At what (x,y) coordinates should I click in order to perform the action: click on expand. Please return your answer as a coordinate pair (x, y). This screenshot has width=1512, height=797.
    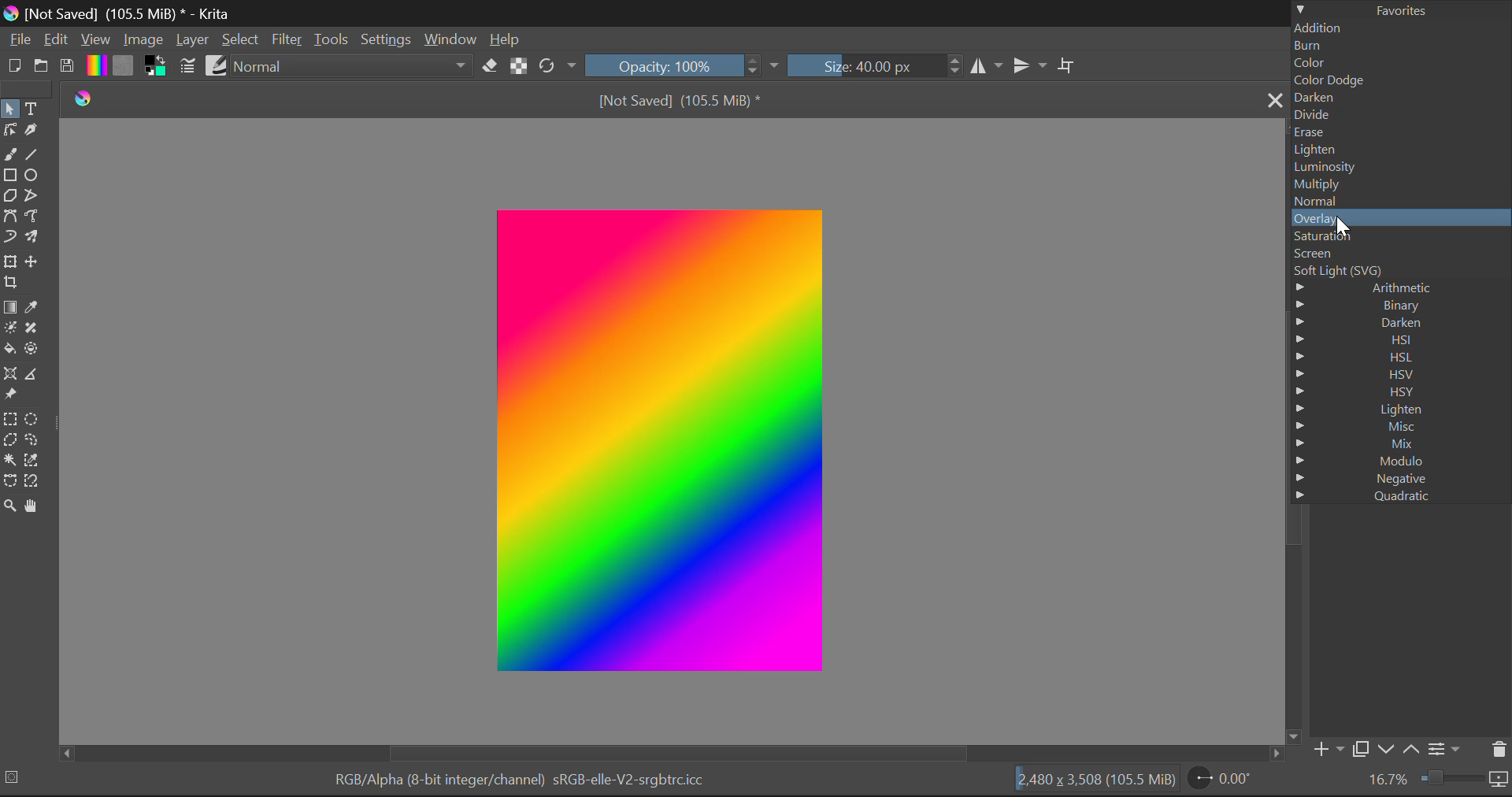
    Looking at the image, I should click on (774, 67).